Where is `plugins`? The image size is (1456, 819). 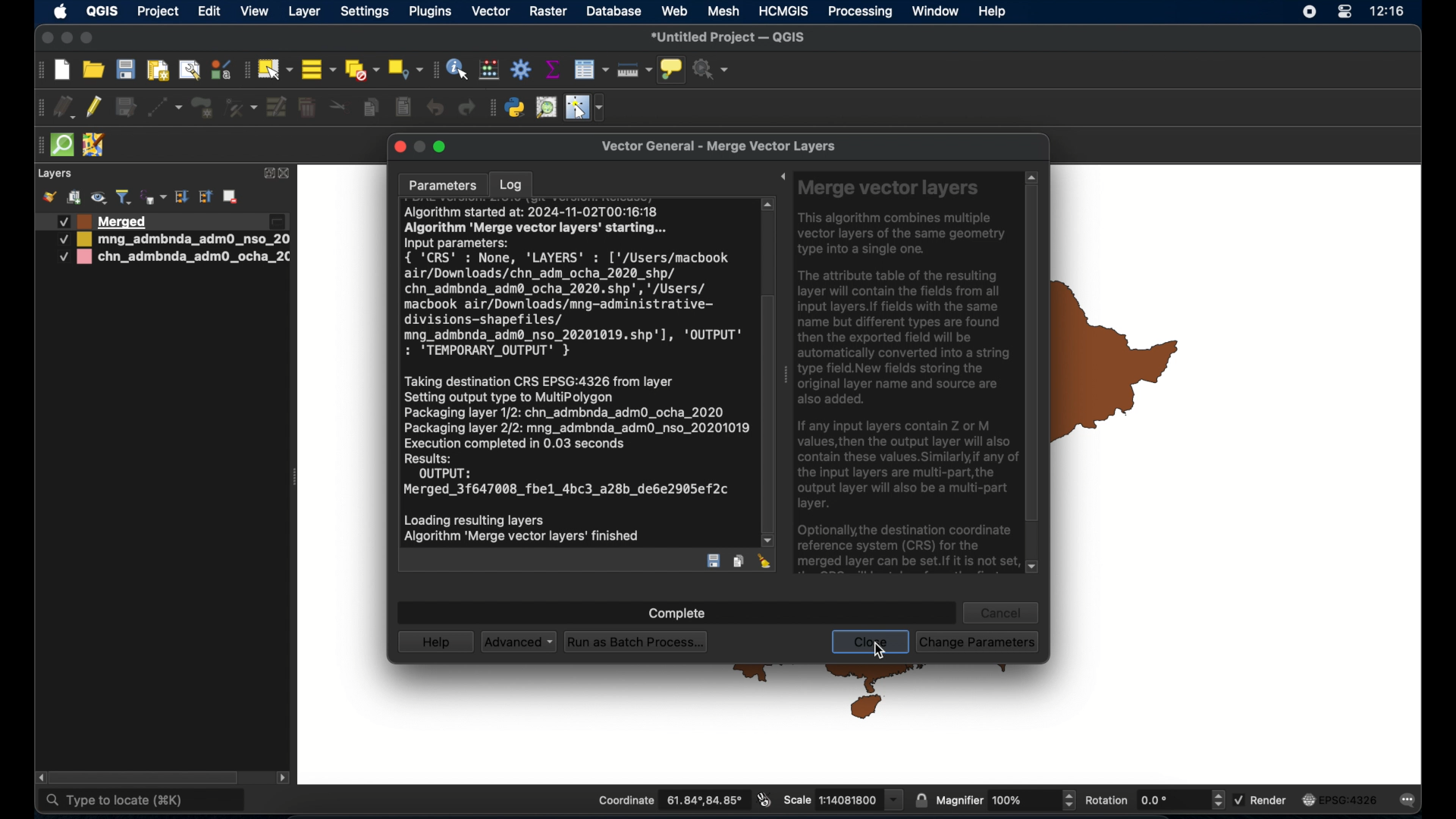
plugins is located at coordinates (433, 11).